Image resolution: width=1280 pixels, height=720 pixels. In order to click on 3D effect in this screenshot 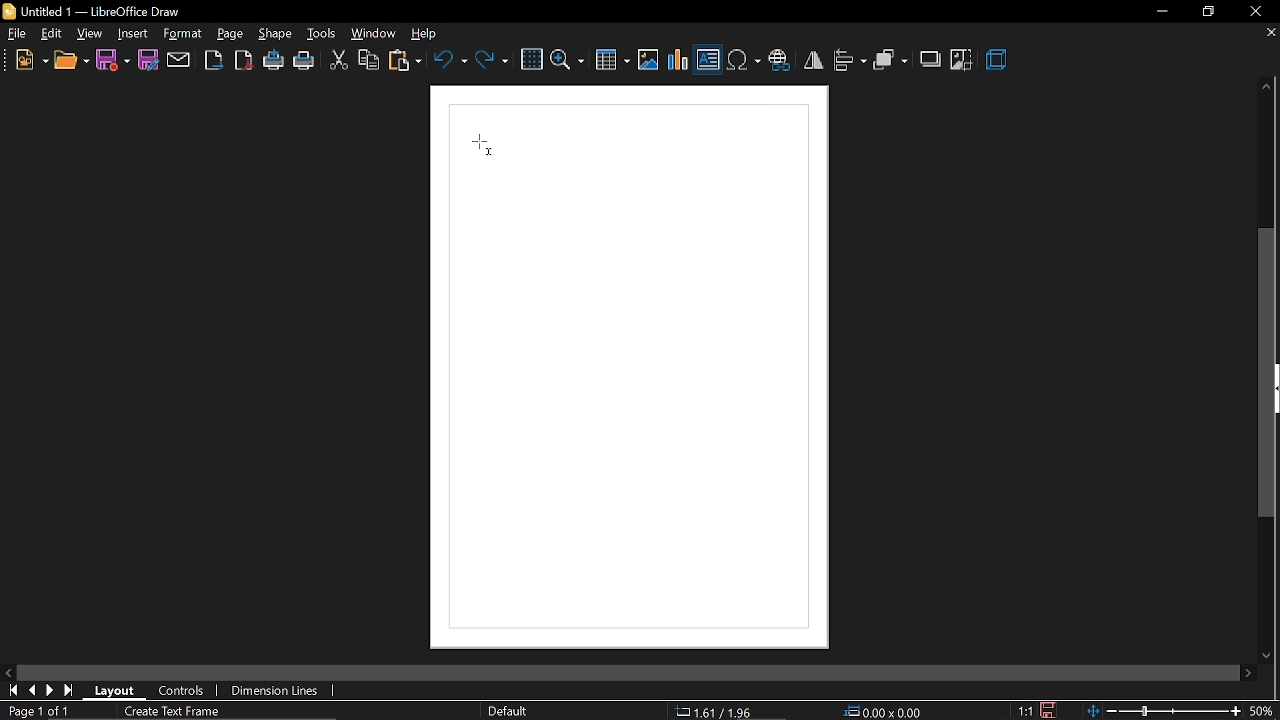, I will do `click(999, 61)`.